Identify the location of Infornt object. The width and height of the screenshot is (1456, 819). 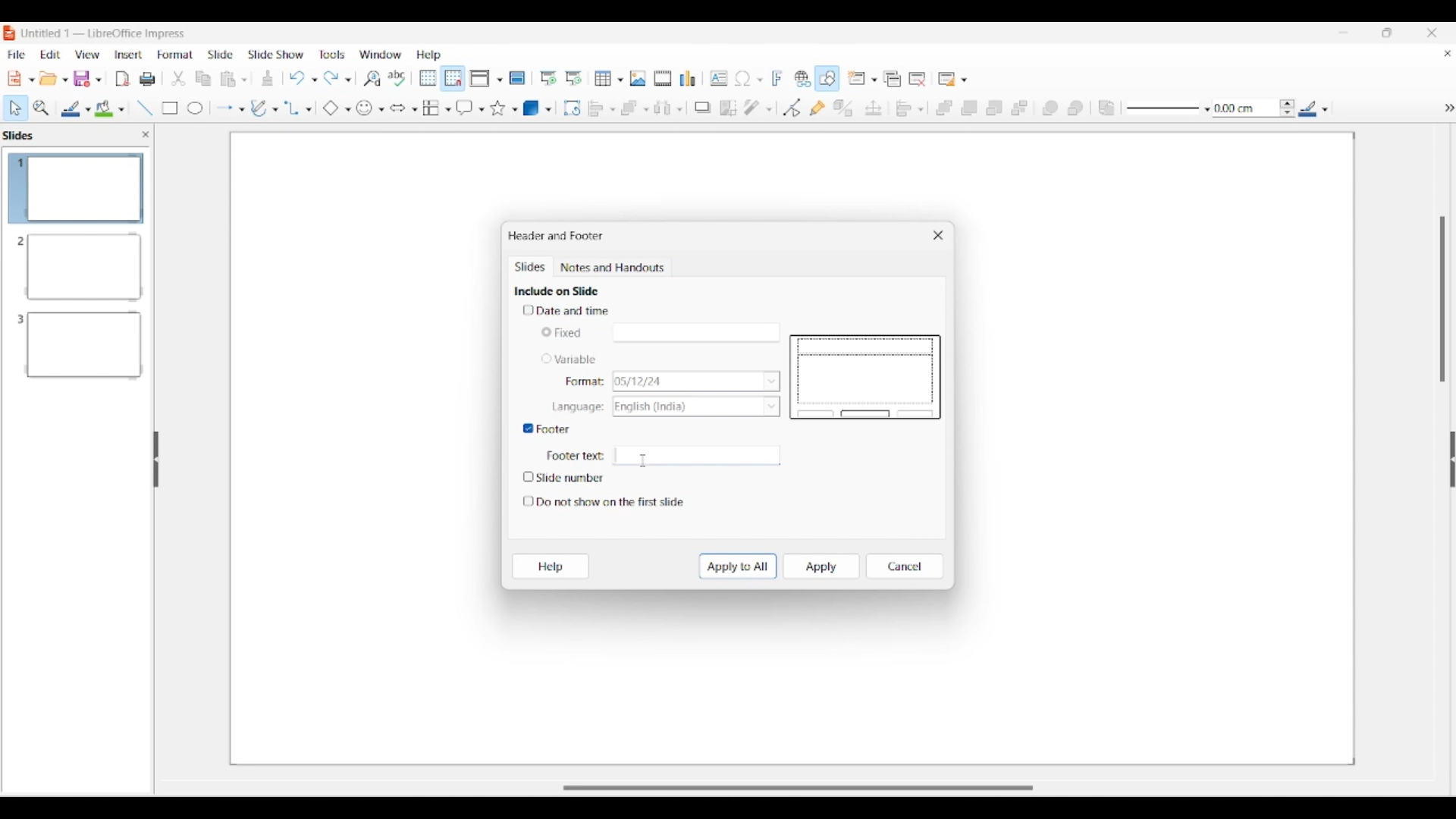
(1050, 108).